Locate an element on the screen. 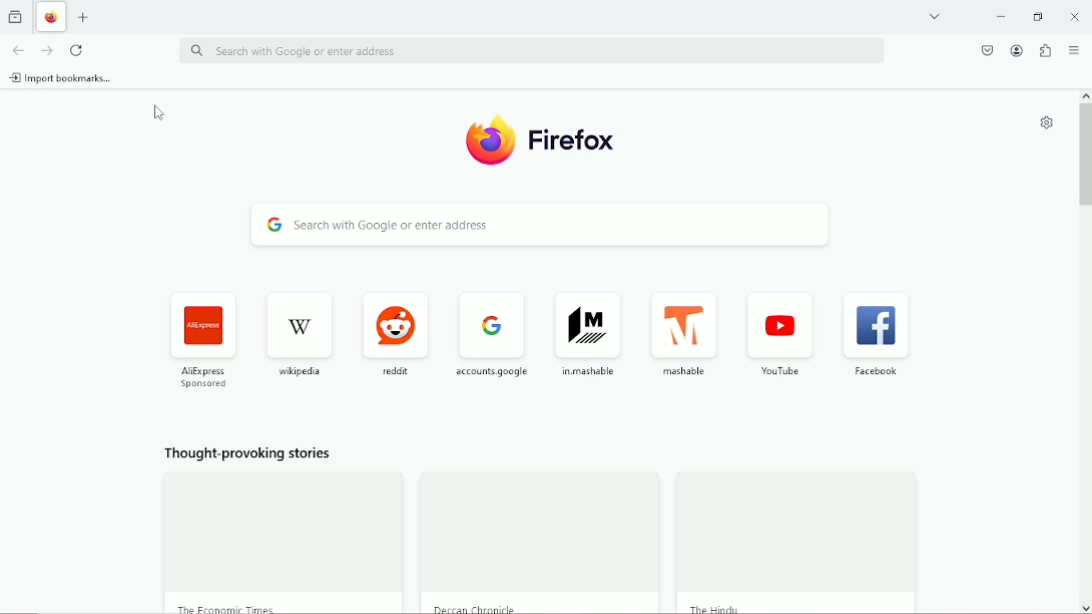 This screenshot has height=614, width=1092. The economic times is located at coordinates (225, 606).